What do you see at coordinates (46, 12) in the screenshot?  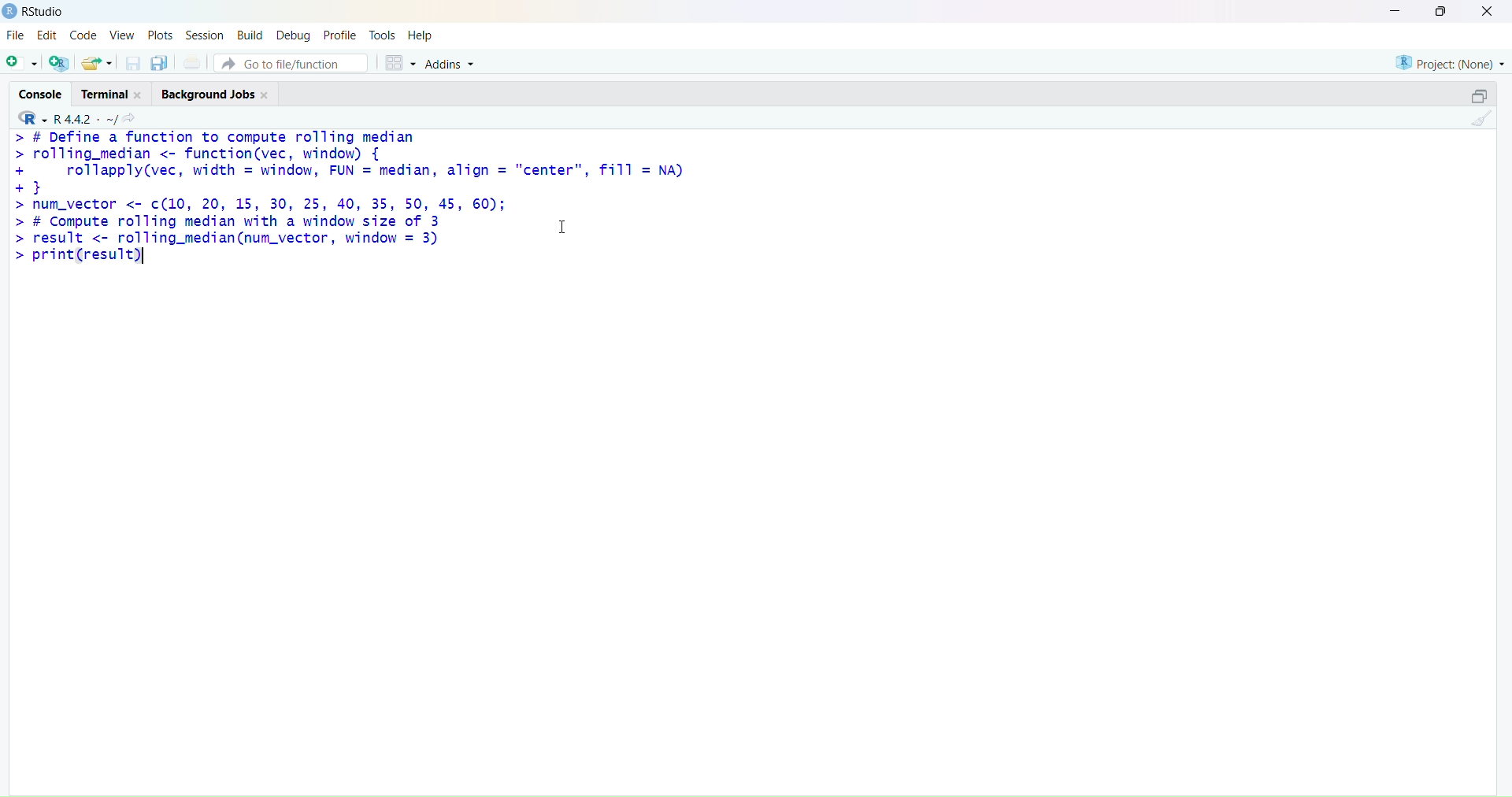 I see `RStudio` at bounding box center [46, 12].